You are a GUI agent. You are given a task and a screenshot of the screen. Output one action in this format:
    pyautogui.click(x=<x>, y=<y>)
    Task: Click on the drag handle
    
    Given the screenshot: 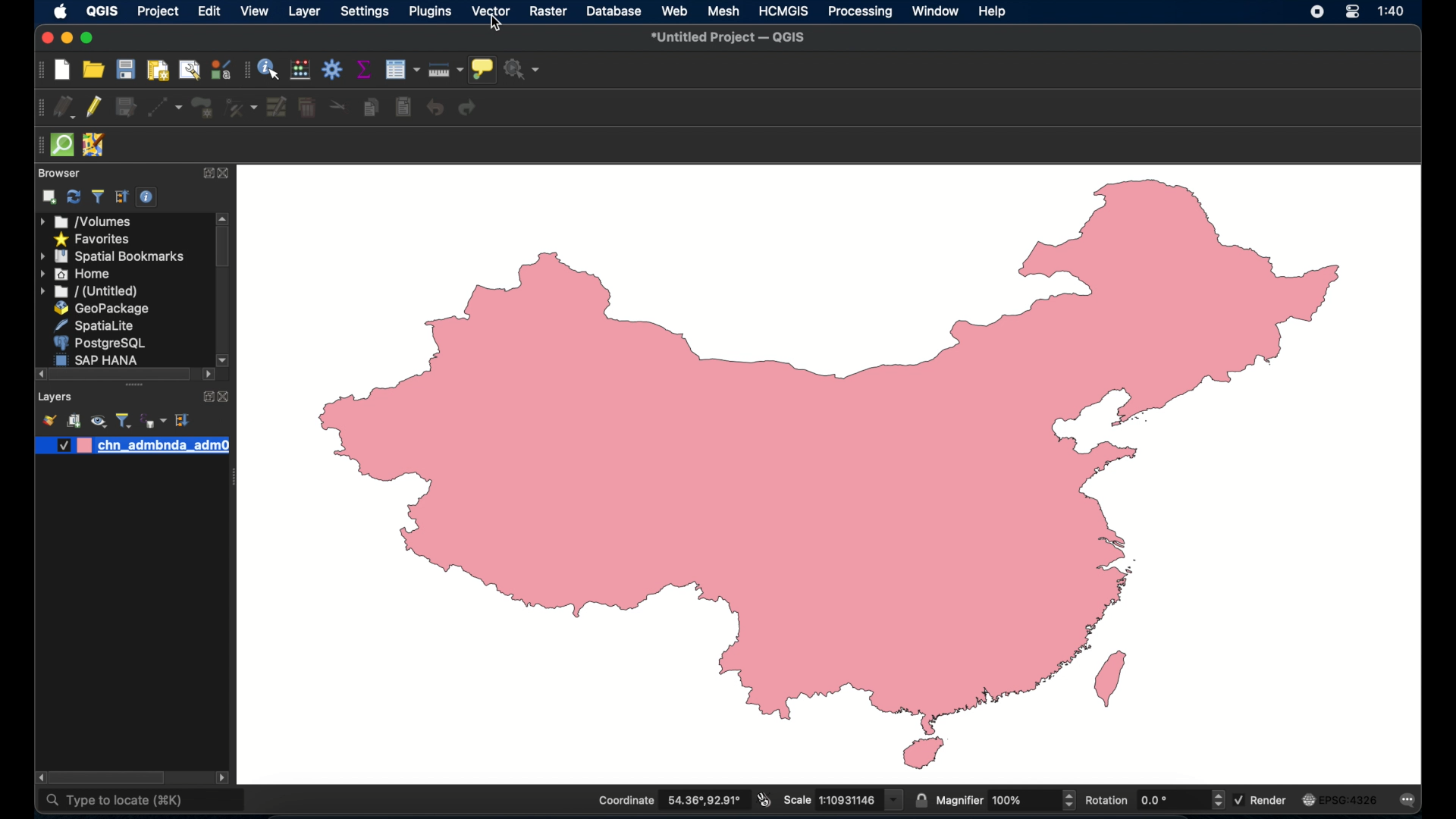 What is the action you would take?
    pyautogui.click(x=36, y=144)
    